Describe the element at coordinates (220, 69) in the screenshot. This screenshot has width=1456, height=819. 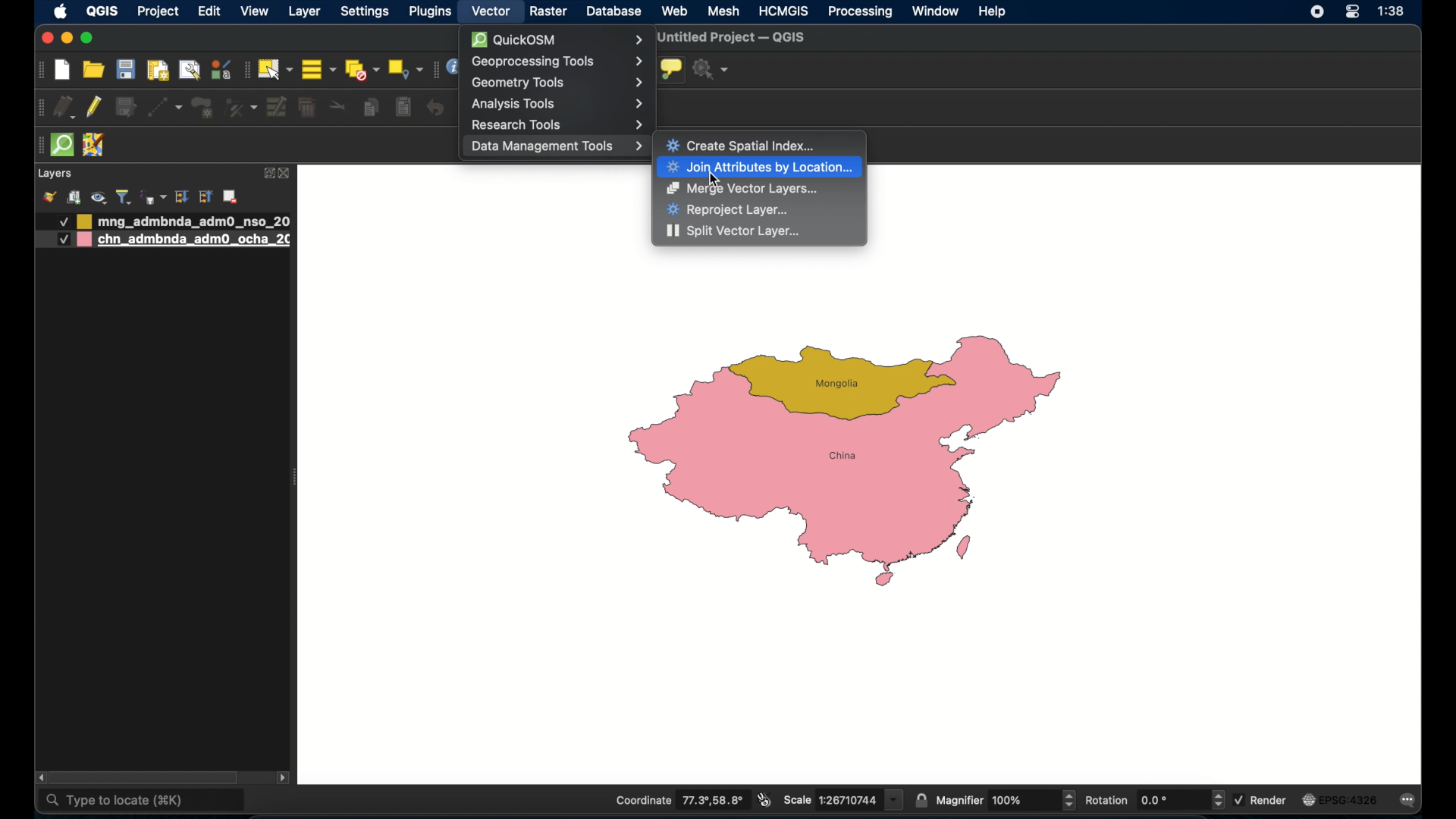
I see `style manager` at that location.